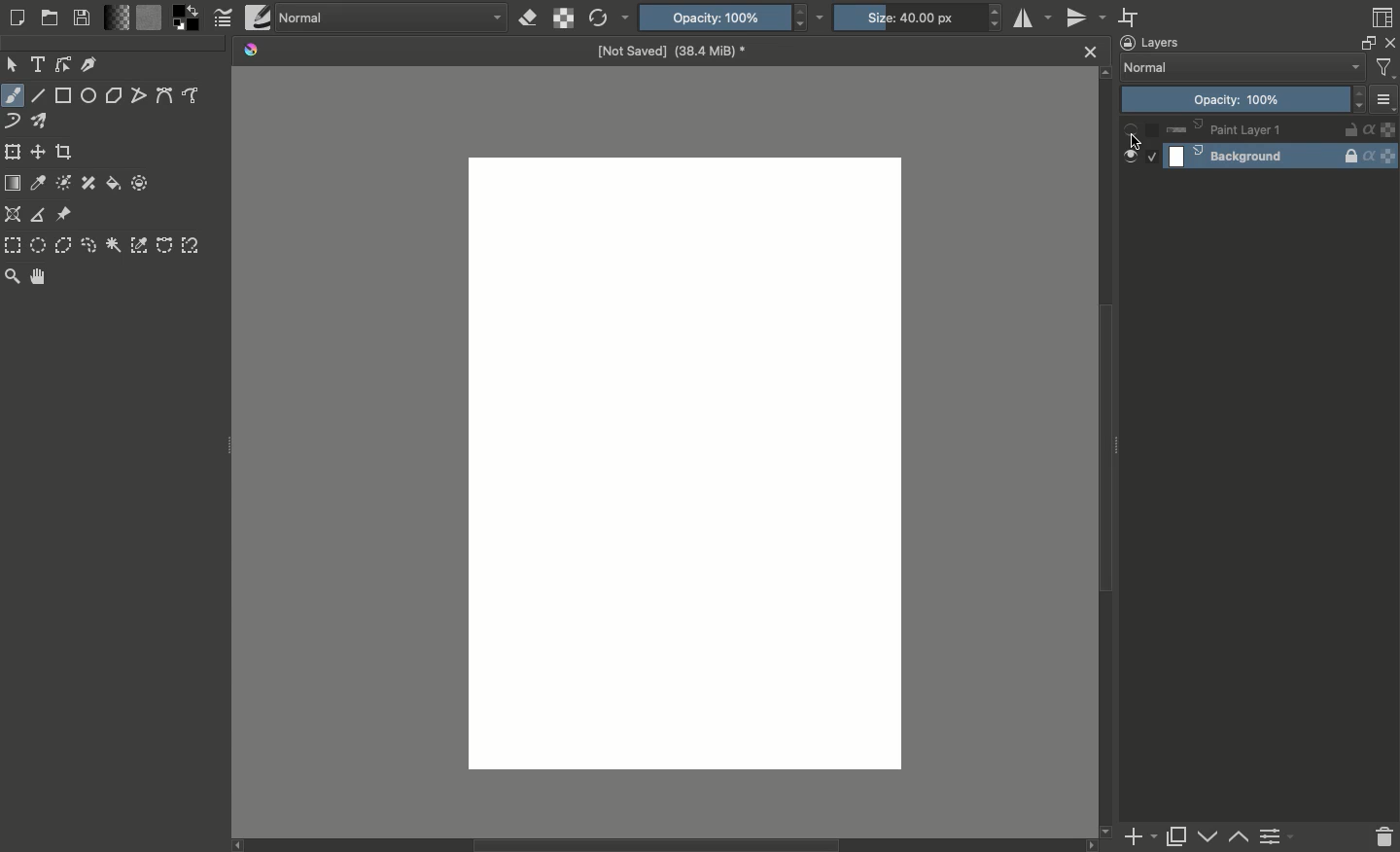 The image size is (1400, 852). I want to click on Wrap around mode, so click(1130, 17).